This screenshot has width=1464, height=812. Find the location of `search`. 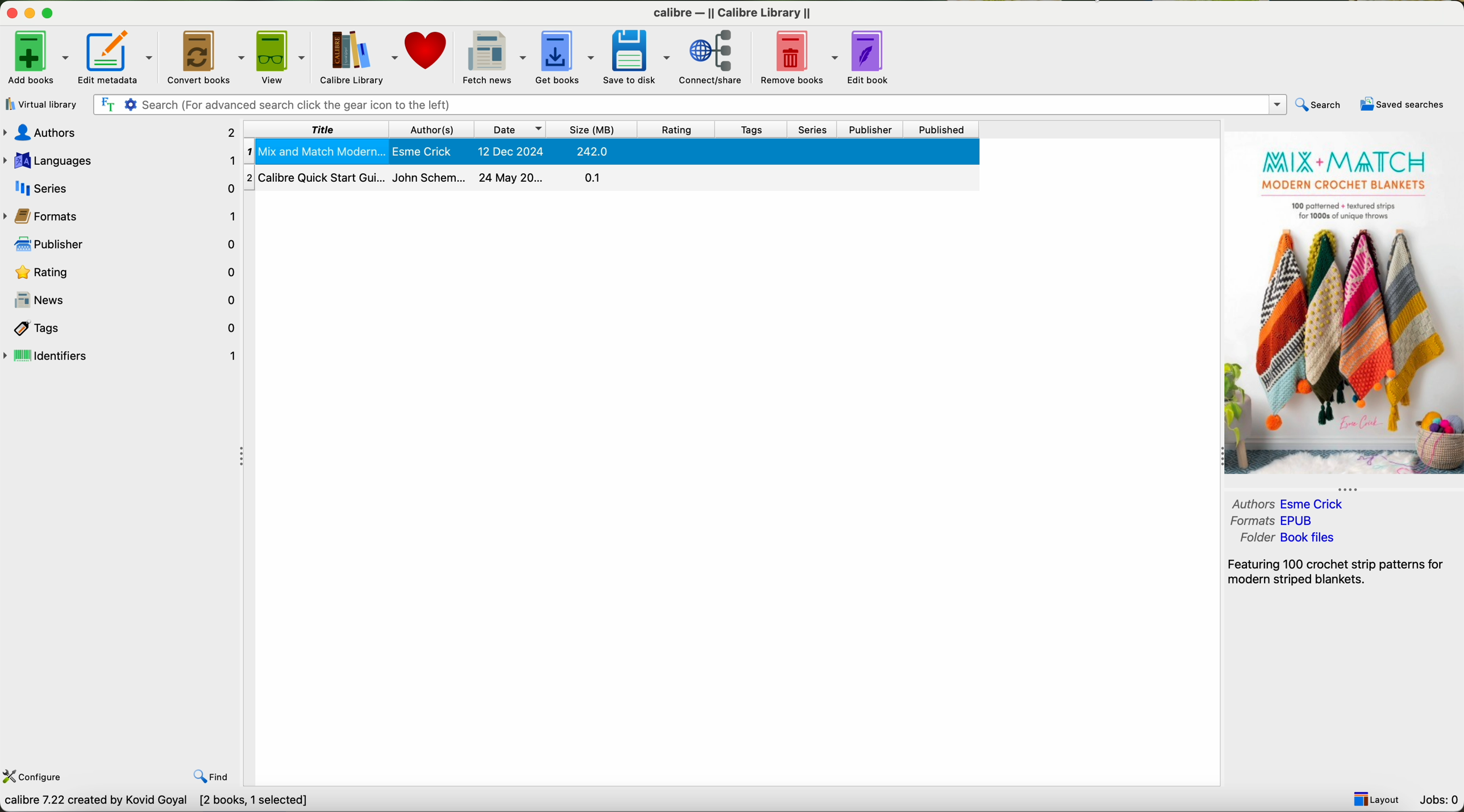

search is located at coordinates (1317, 105).